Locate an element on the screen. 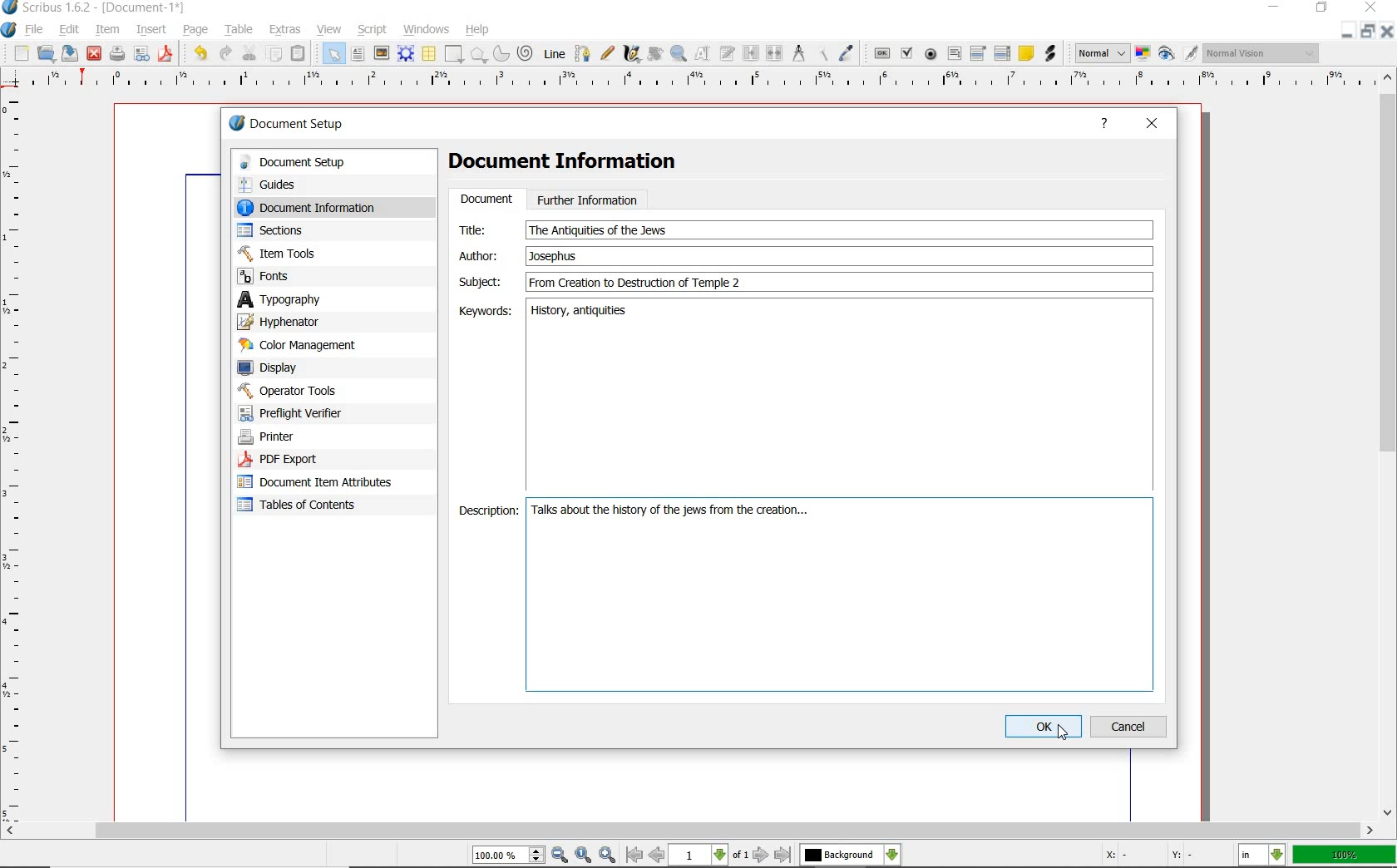 The image size is (1397, 868). ruler is located at coordinates (17, 456).